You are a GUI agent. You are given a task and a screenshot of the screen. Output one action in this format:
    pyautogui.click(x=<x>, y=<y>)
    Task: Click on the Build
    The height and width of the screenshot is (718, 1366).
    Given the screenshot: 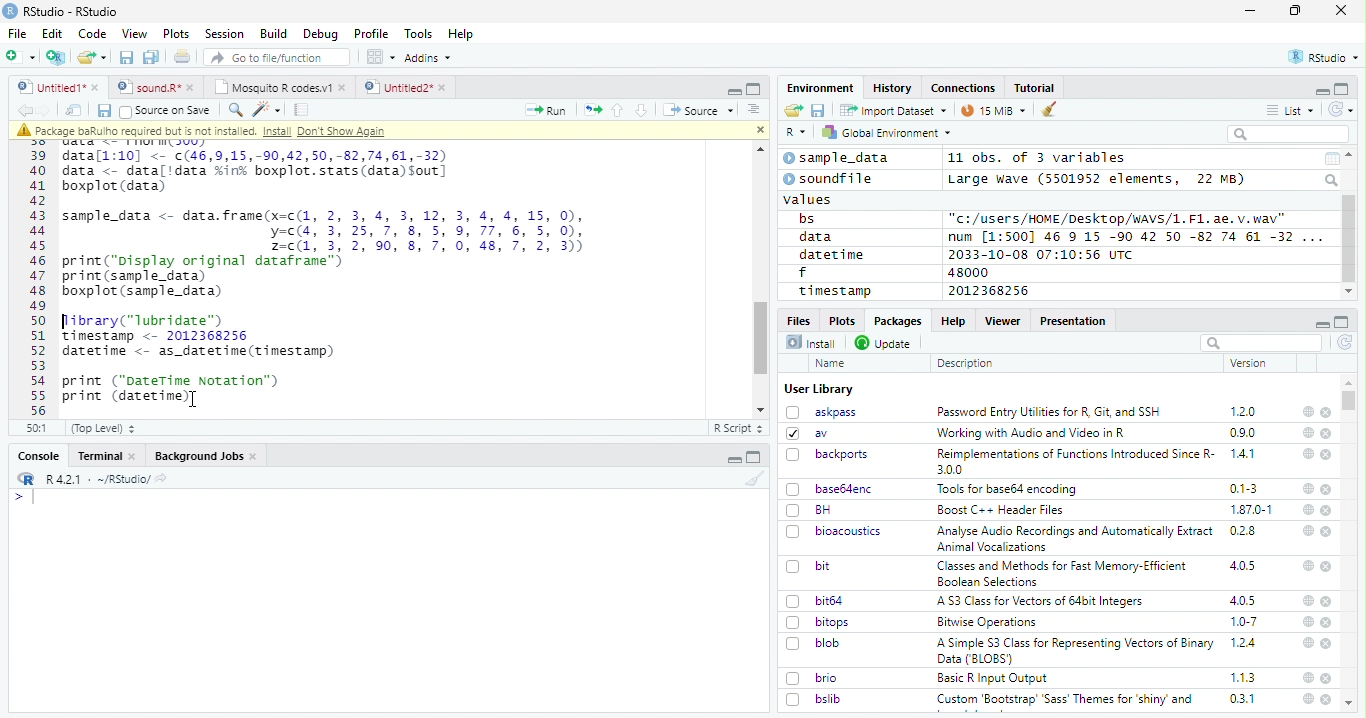 What is the action you would take?
    pyautogui.click(x=273, y=34)
    